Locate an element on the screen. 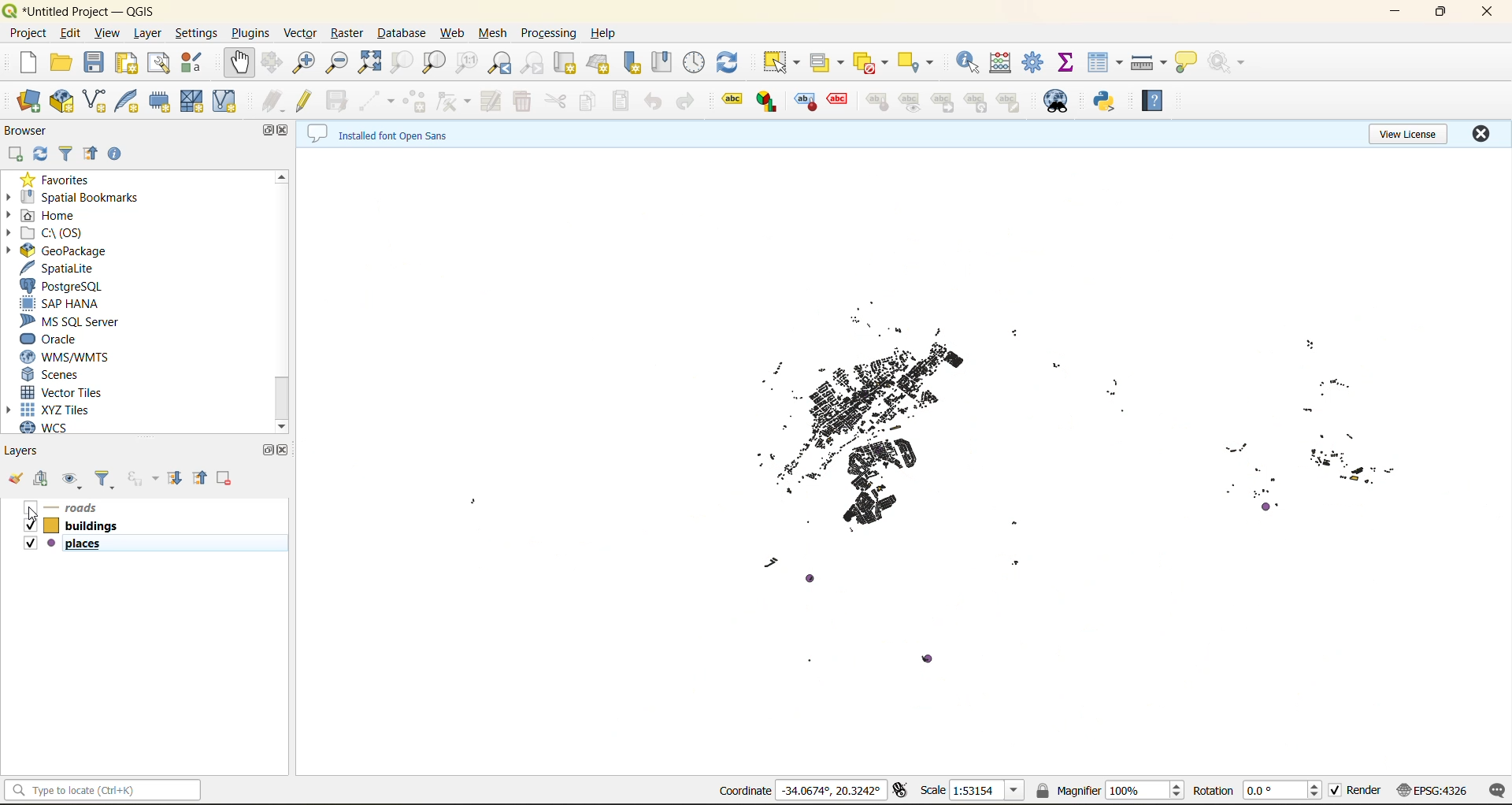 The width and height of the screenshot is (1512, 805). database is located at coordinates (401, 34).